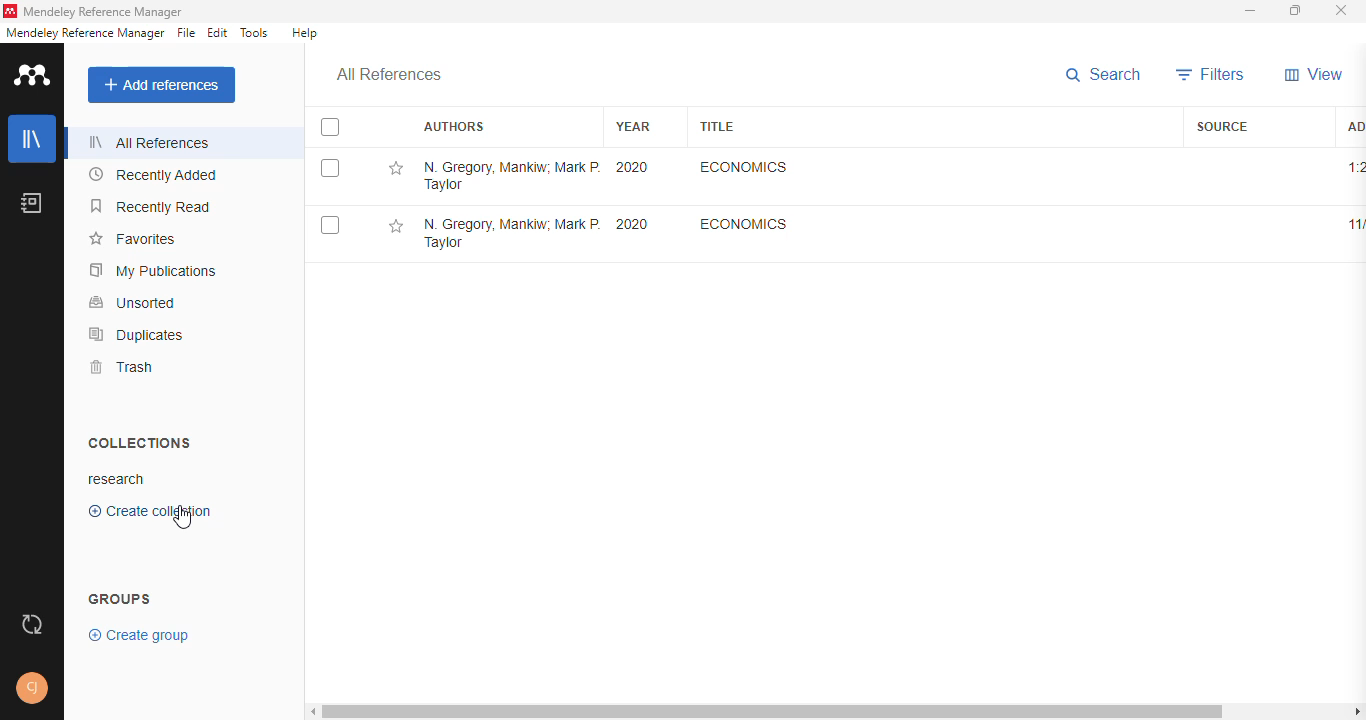  What do you see at coordinates (1252, 11) in the screenshot?
I see `minimize` at bounding box center [1252, 11].